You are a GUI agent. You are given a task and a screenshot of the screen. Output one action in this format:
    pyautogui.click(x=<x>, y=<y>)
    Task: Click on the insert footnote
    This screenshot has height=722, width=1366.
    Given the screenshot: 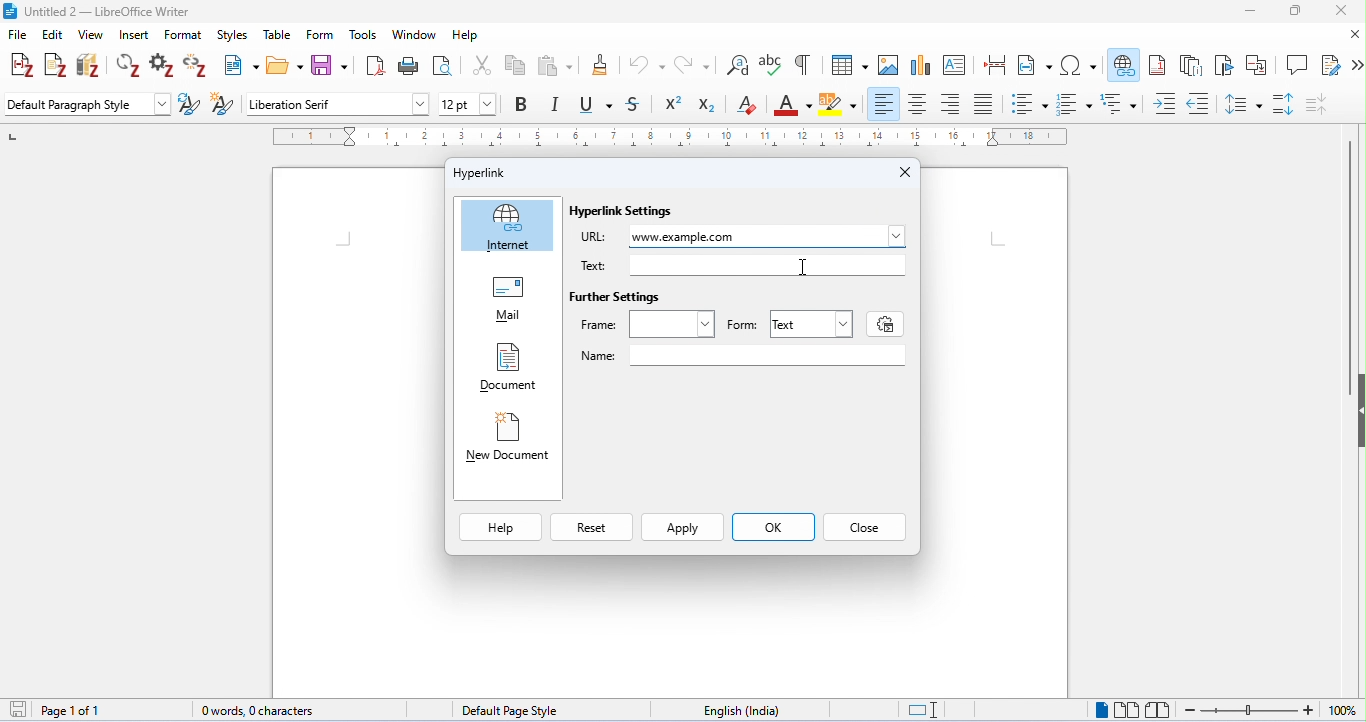 What is the action you would take?
    pyautogui.click(x=1157, y=64)
    